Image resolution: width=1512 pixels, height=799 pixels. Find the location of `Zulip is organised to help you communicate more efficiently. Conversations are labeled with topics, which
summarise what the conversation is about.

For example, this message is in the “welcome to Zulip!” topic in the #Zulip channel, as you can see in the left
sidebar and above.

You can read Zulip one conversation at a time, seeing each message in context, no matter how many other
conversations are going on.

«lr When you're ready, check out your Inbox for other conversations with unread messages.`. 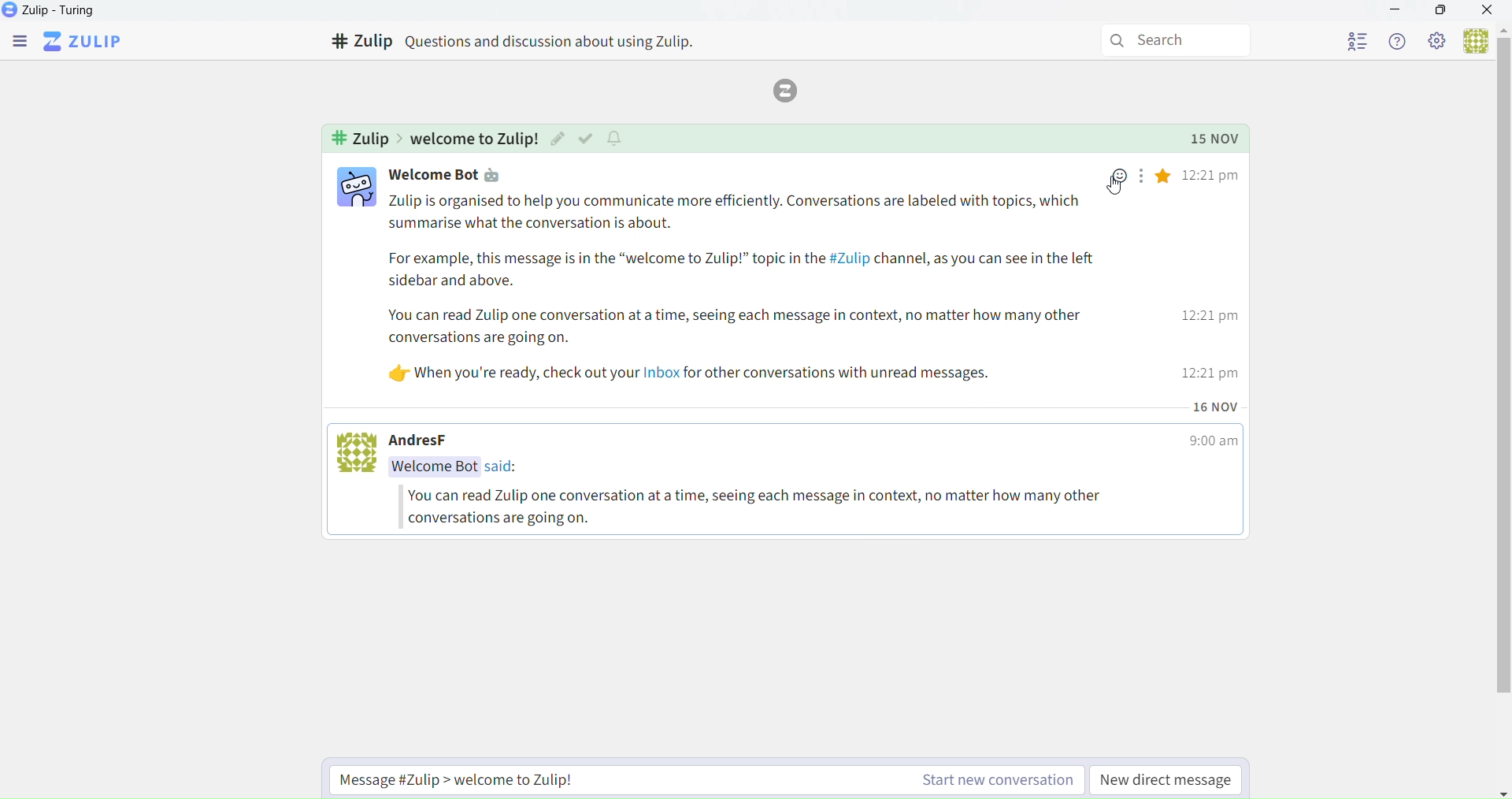

Zulip is organised to help you communicate more efficiently. Conversations are labeled with topics, which
summarise what the conversation is about.

For example, this message is in the “welcome to Zulip!” topic in the #Zulip channel, as you can see in the left
sidebar and above.

You can read Zulip one conversation at a time, seeing each message in context, no matter how many other
conversations are going on.

«lr When you're ready, check out your Inbox for other conversations with unread messages. is located at coordinates (737, 293).